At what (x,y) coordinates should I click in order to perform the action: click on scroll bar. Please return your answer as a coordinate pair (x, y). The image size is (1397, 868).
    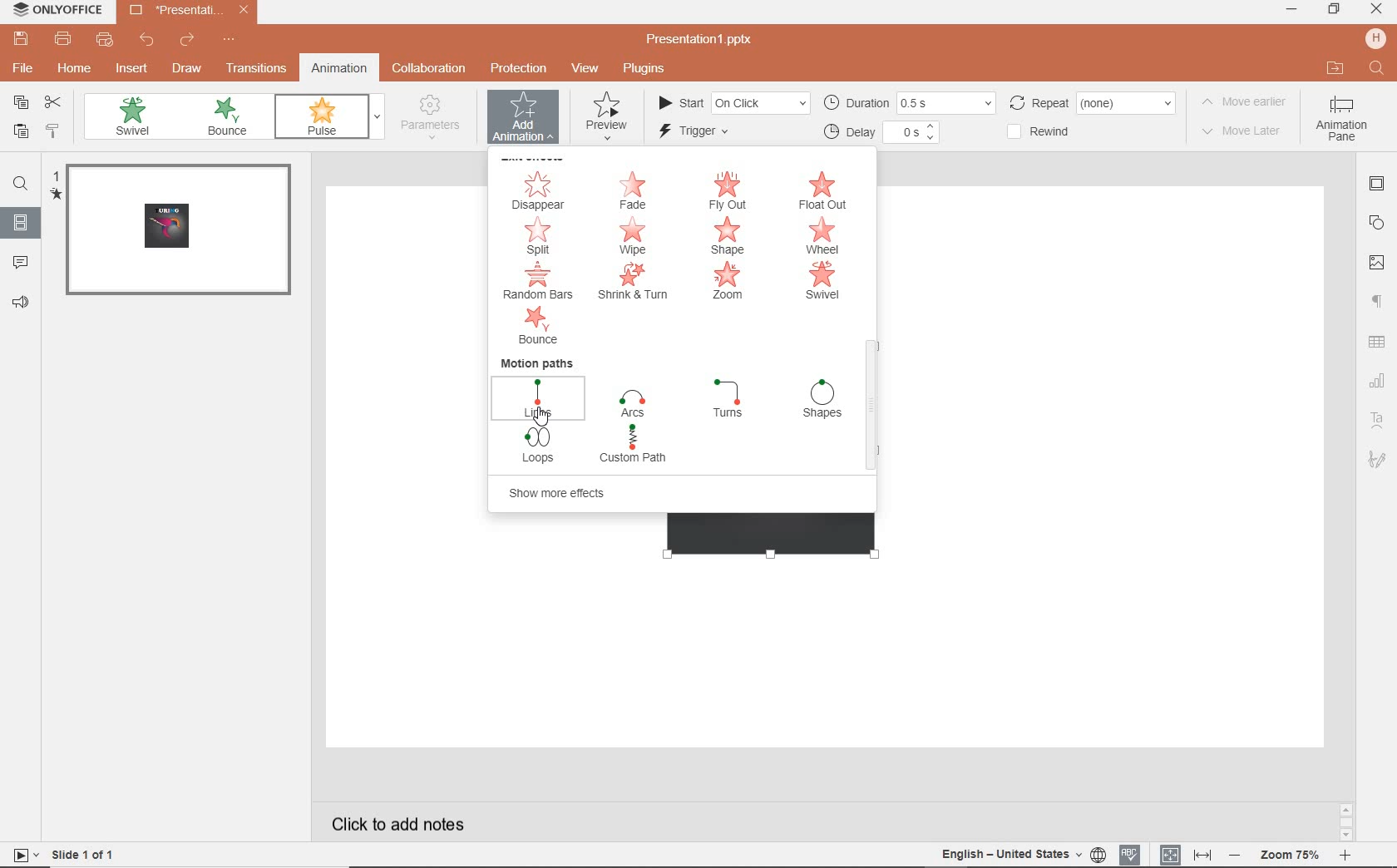
    Looking at the image, I should click on (1347, 823).